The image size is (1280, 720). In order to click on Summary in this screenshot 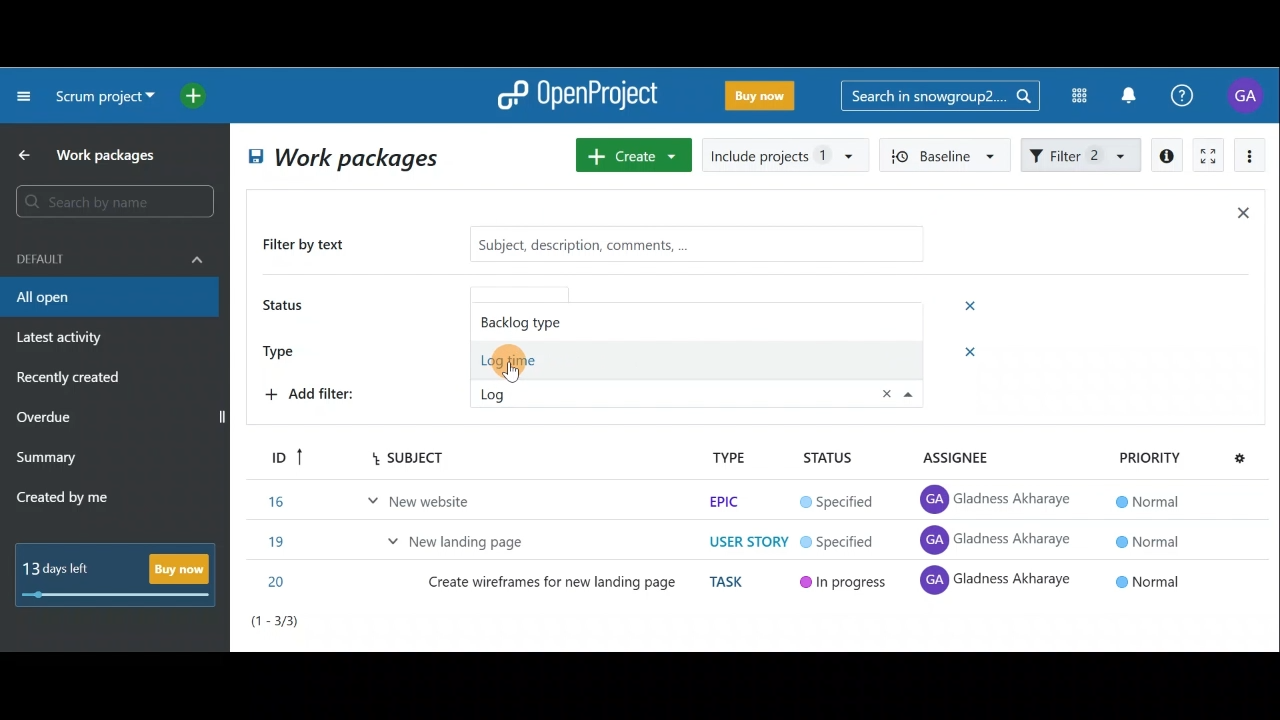, I will do `click(47, 460)`.